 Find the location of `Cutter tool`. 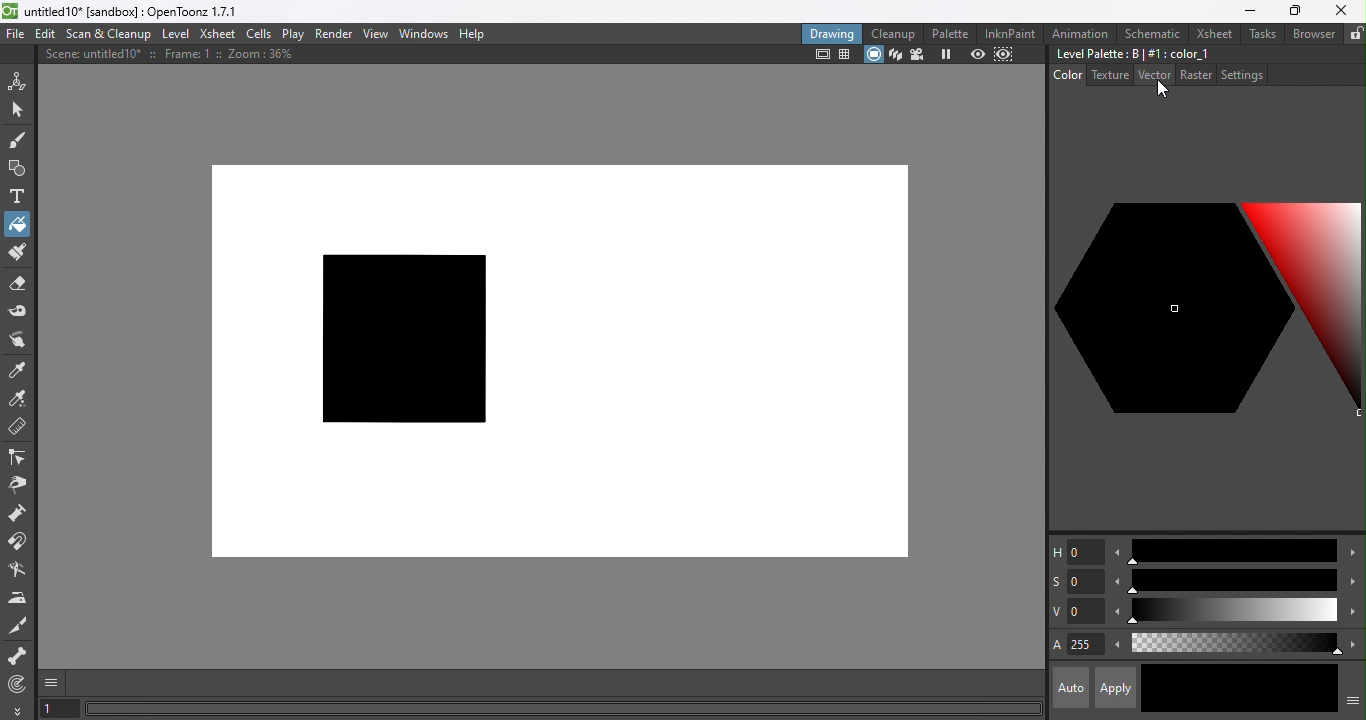

Cutter tool is located at coordinates (17, 571).